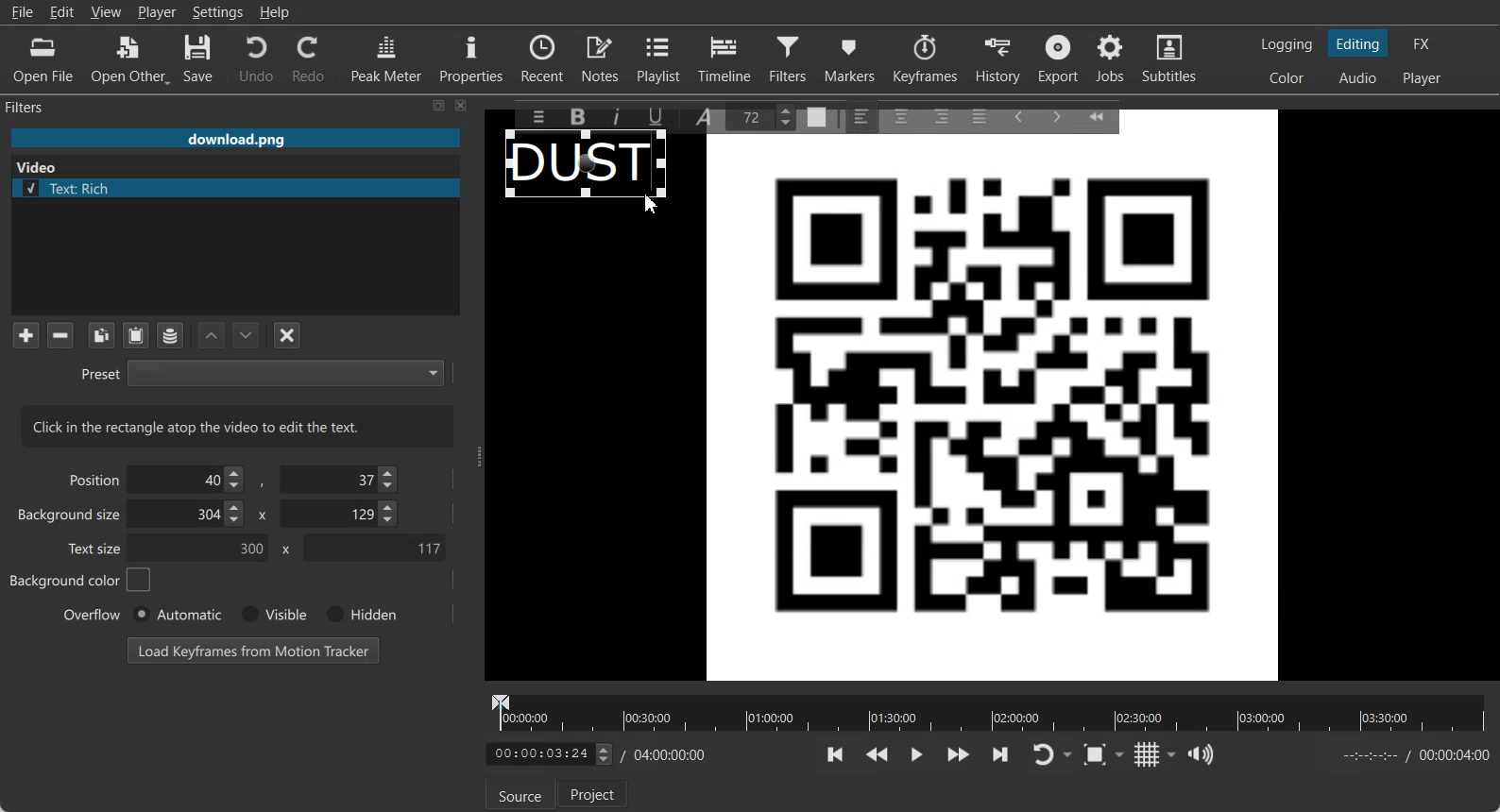 The image size is (1500, 812). I want to click on Project, so click(594, 793).